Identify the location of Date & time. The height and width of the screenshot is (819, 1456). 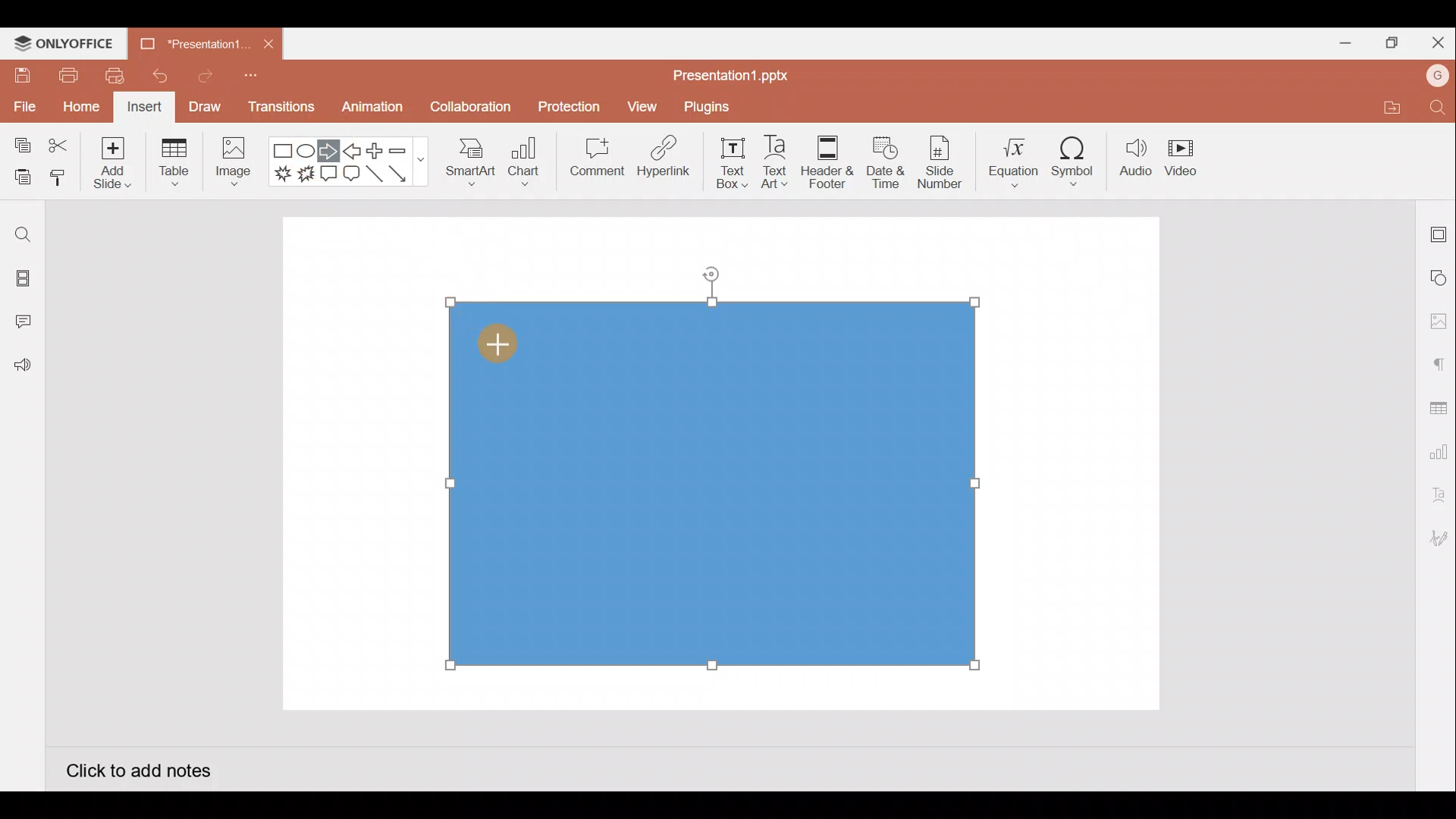
(886, 162).